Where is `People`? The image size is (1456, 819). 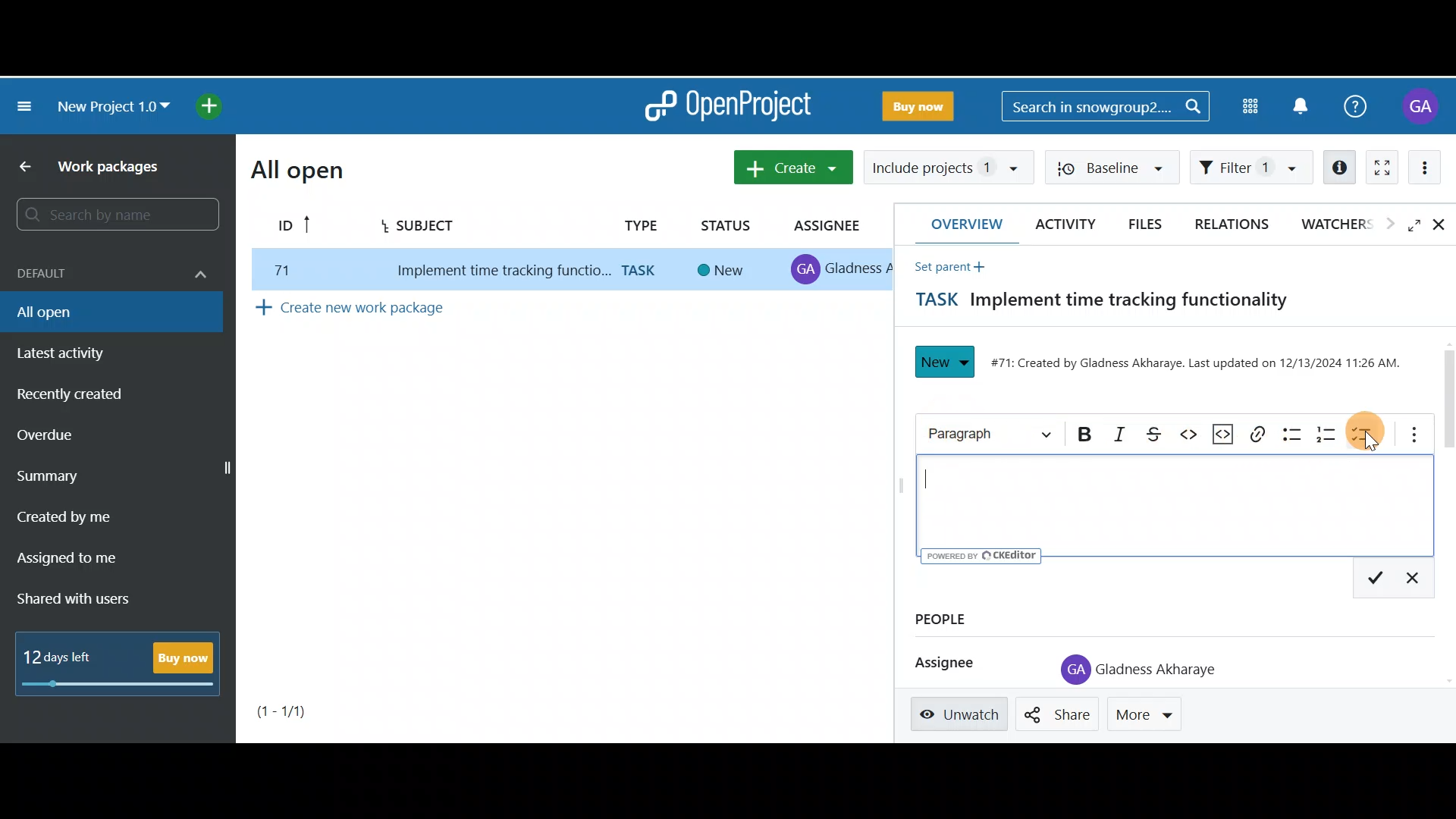
People is located at coordinates (971, 618).